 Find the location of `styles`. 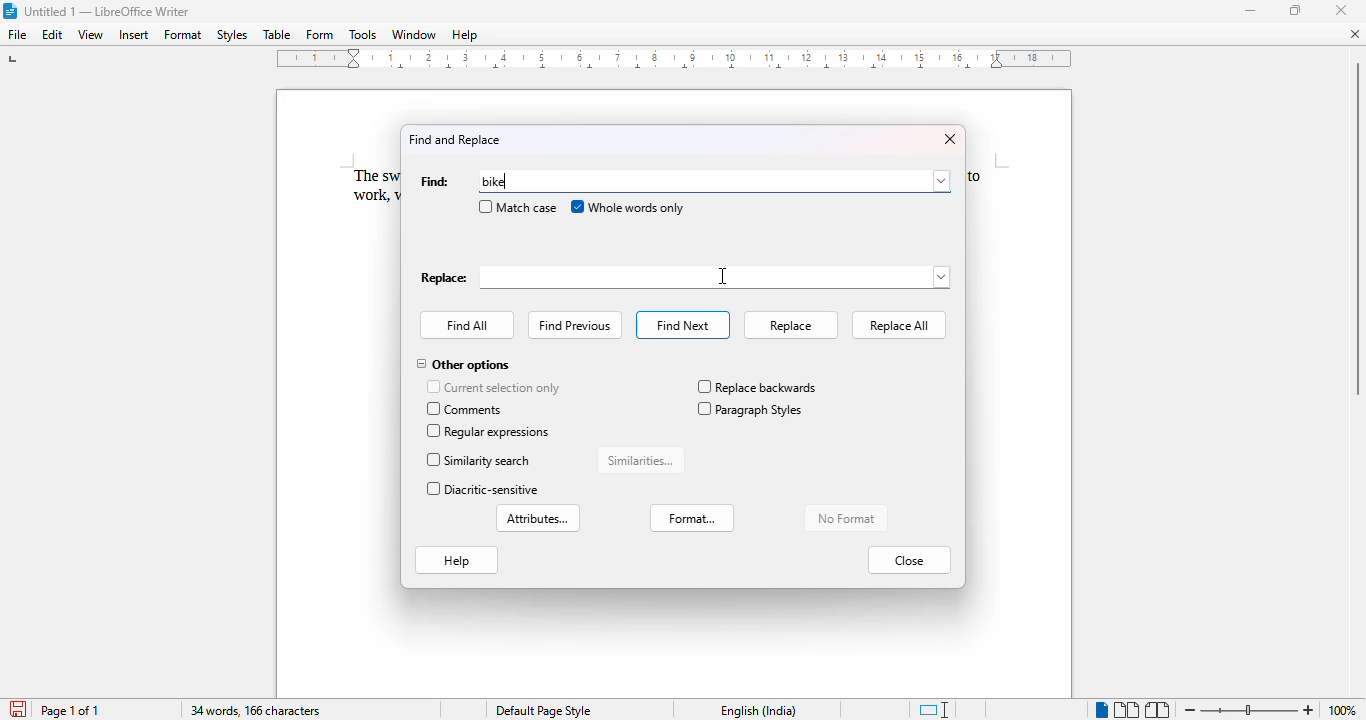

styles is located at coordinates (231, 35).